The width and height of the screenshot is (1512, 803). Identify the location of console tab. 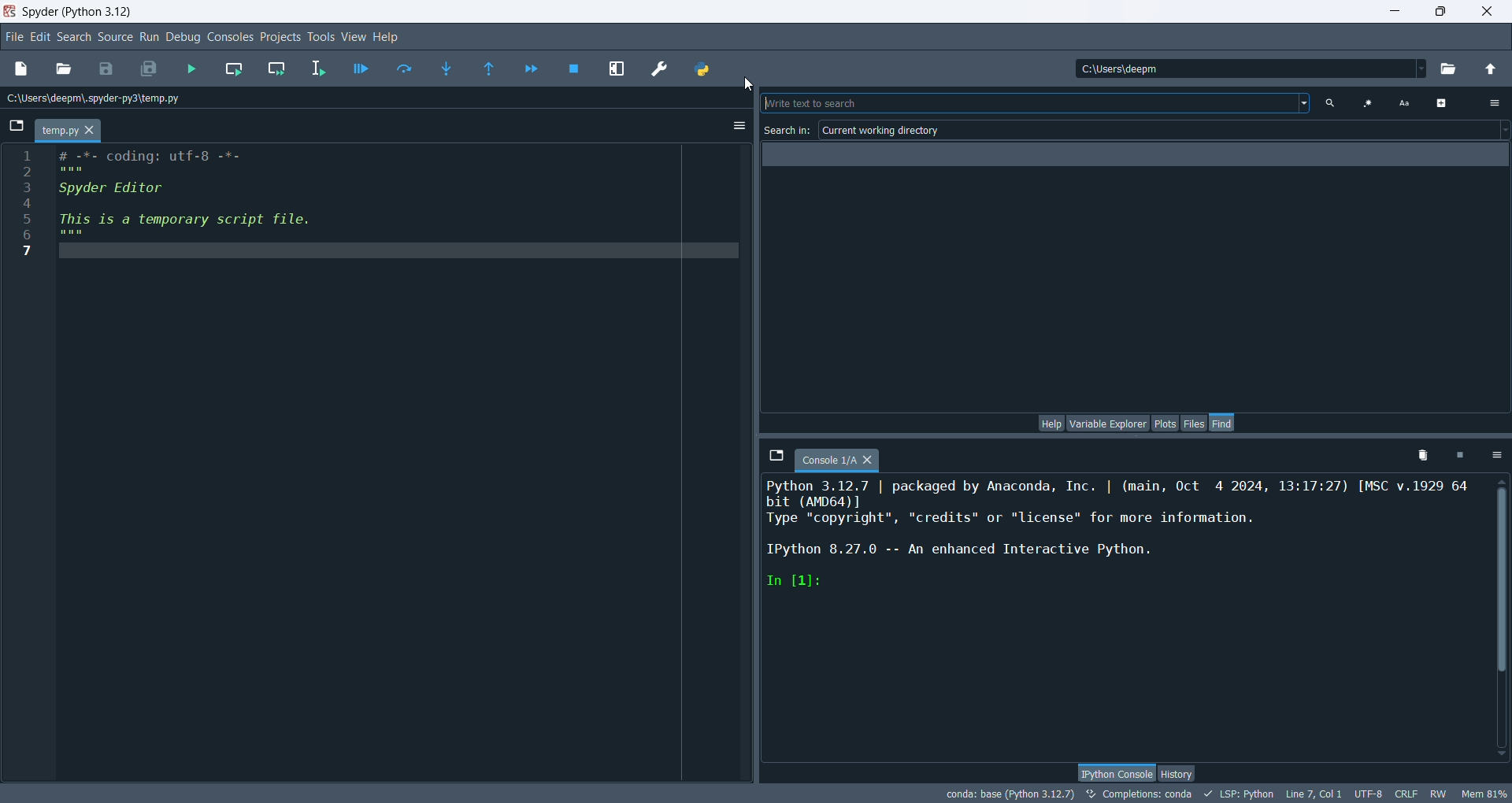
(838, 461).